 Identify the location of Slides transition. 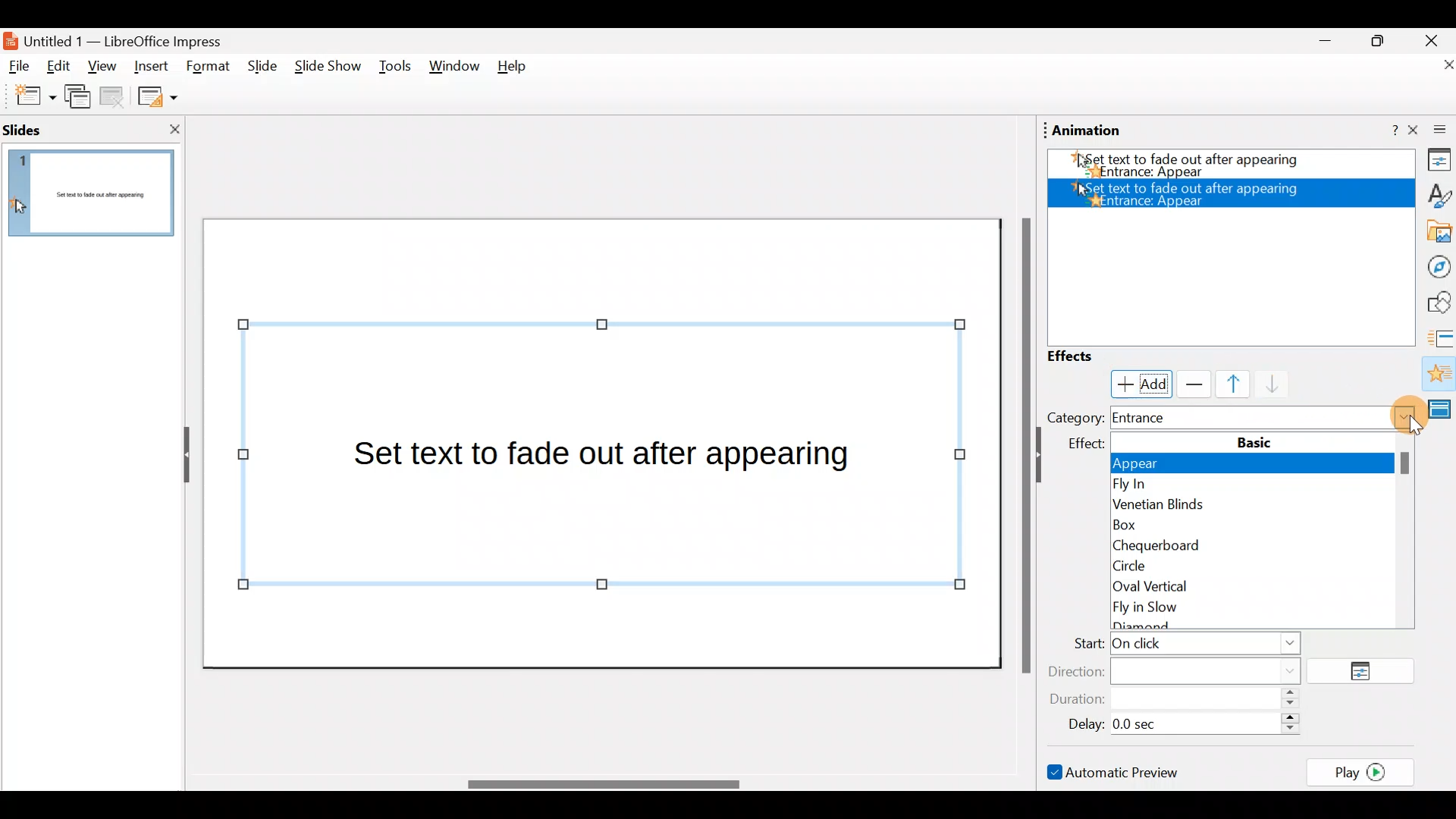
(1441, 337).